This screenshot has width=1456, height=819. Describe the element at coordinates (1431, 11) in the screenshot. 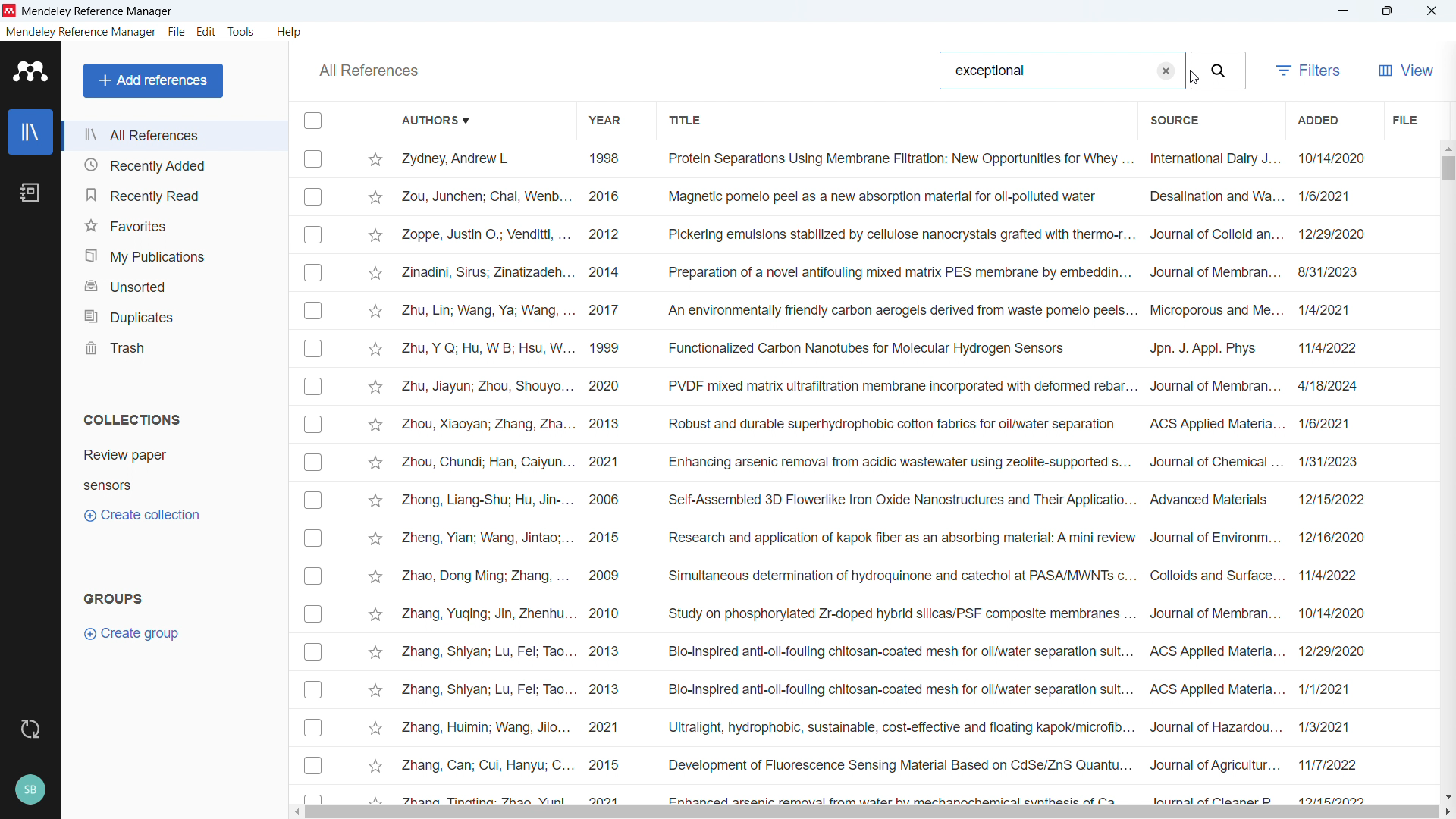

I see `Close ` at that location.